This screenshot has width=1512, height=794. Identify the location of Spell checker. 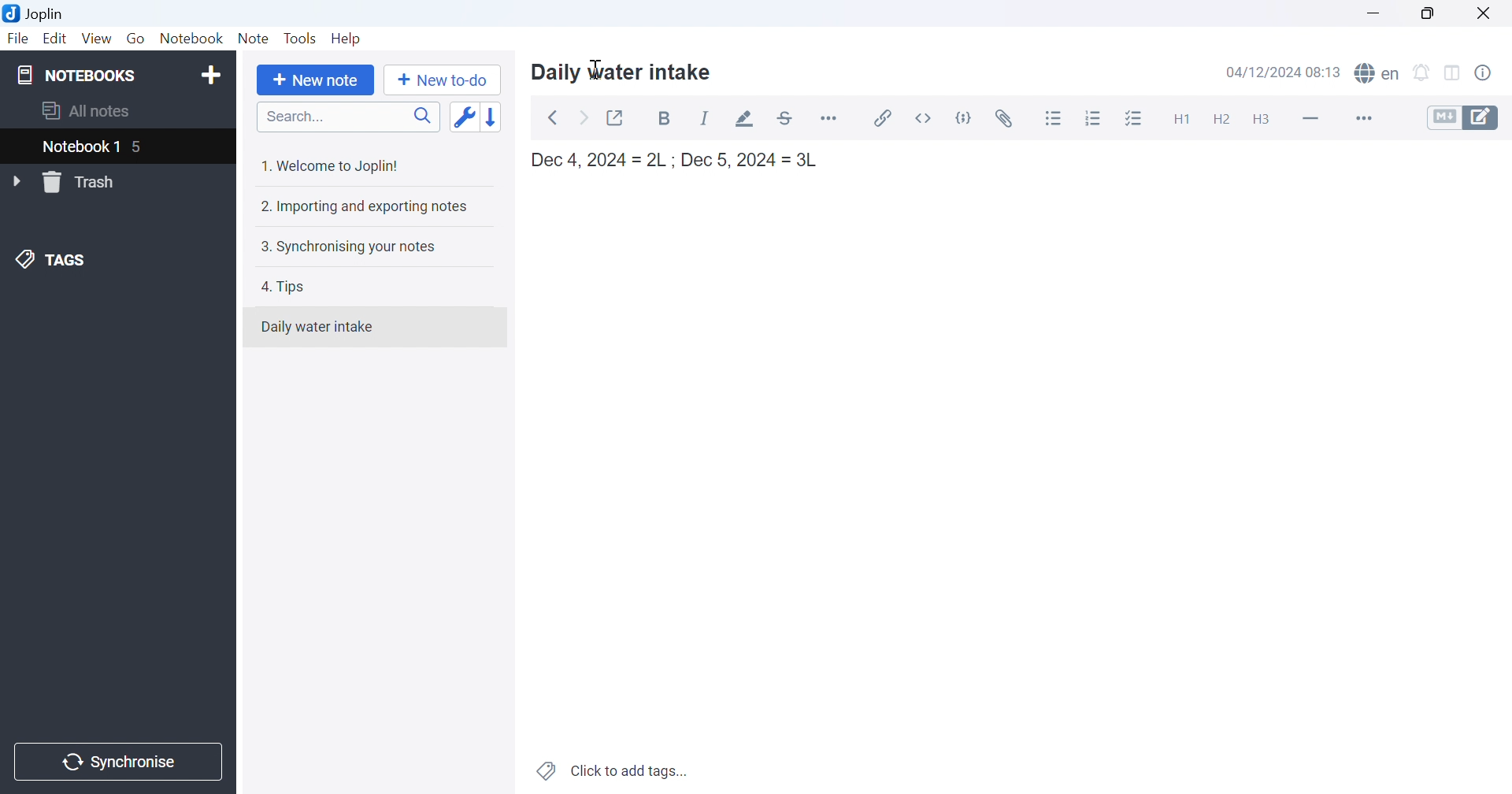
(1379, 74).